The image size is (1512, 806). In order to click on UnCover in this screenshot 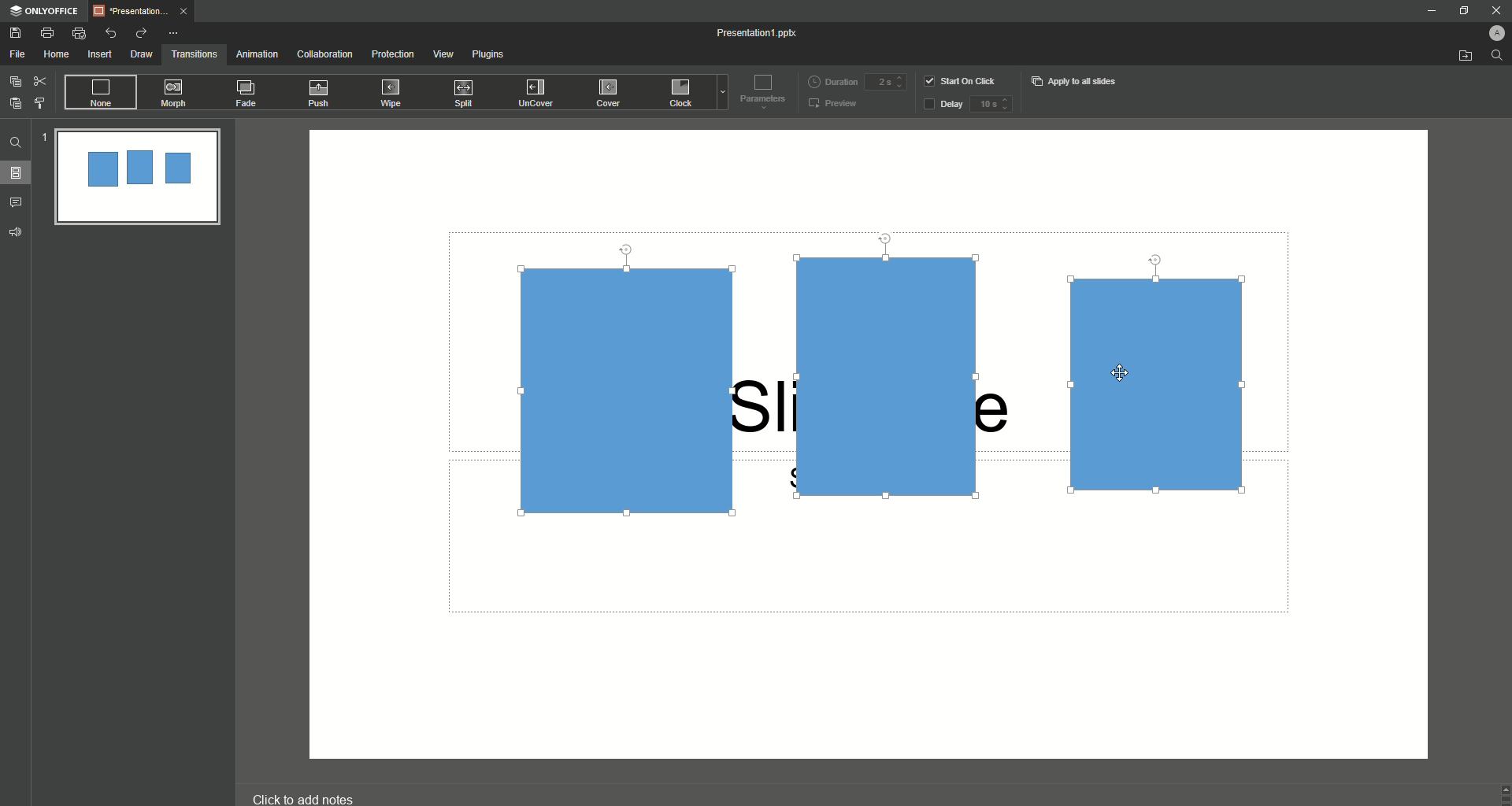, I will do `click(541, 94)`.